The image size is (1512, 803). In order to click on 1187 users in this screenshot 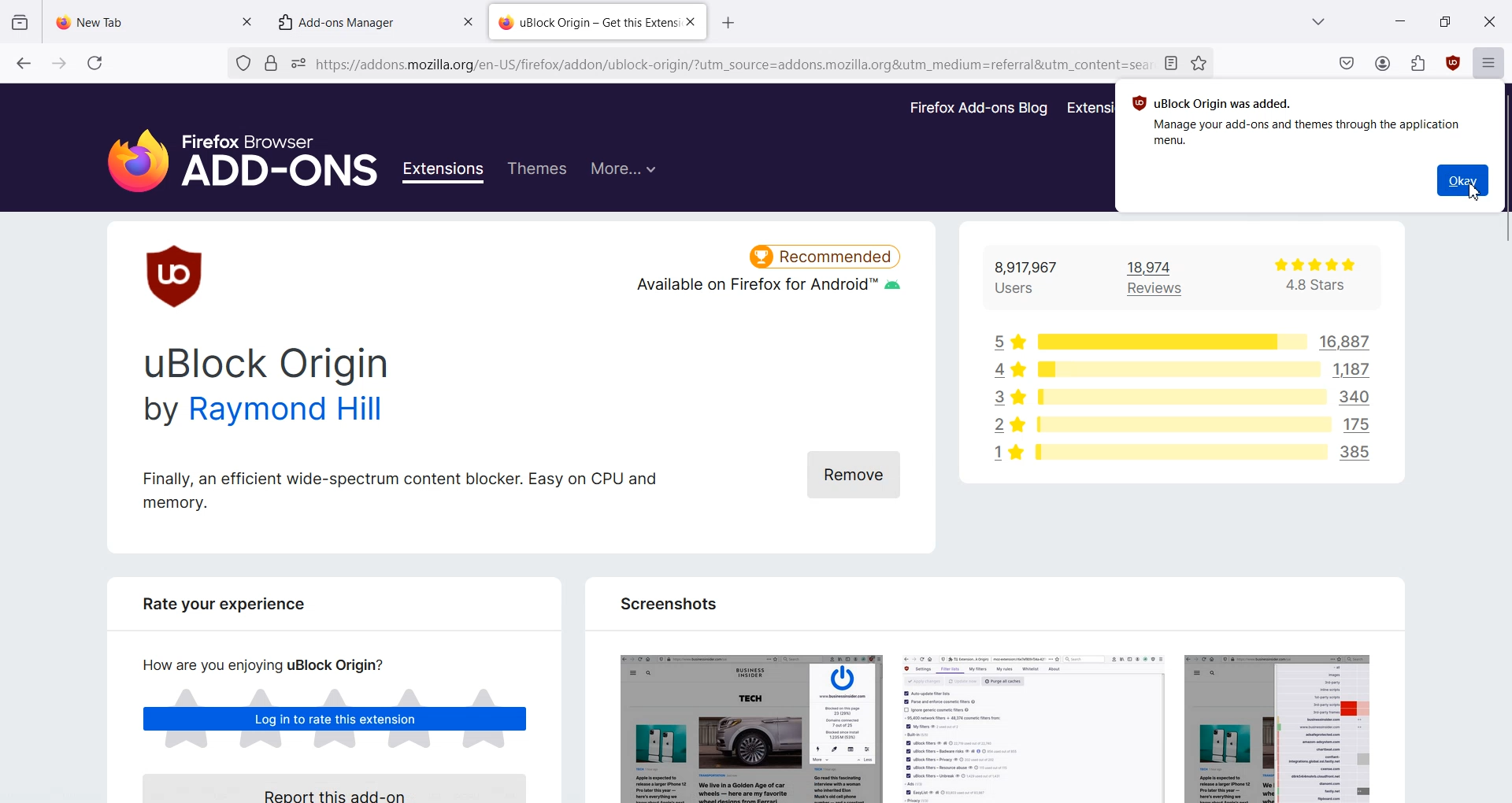, I will do `click(1358, 370)`.